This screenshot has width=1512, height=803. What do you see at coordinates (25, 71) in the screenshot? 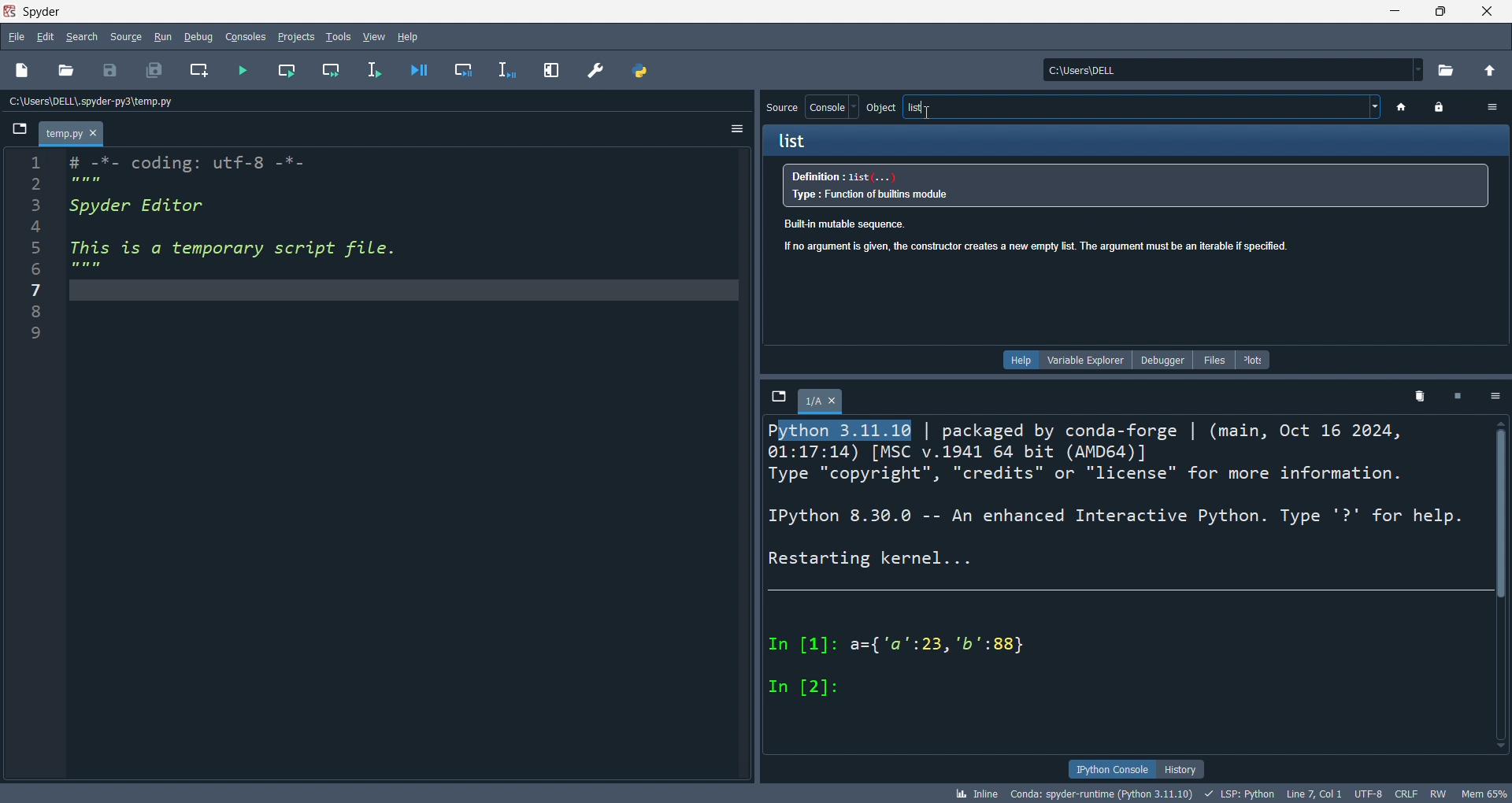
I see `new file` at bounding box center [25, 71].